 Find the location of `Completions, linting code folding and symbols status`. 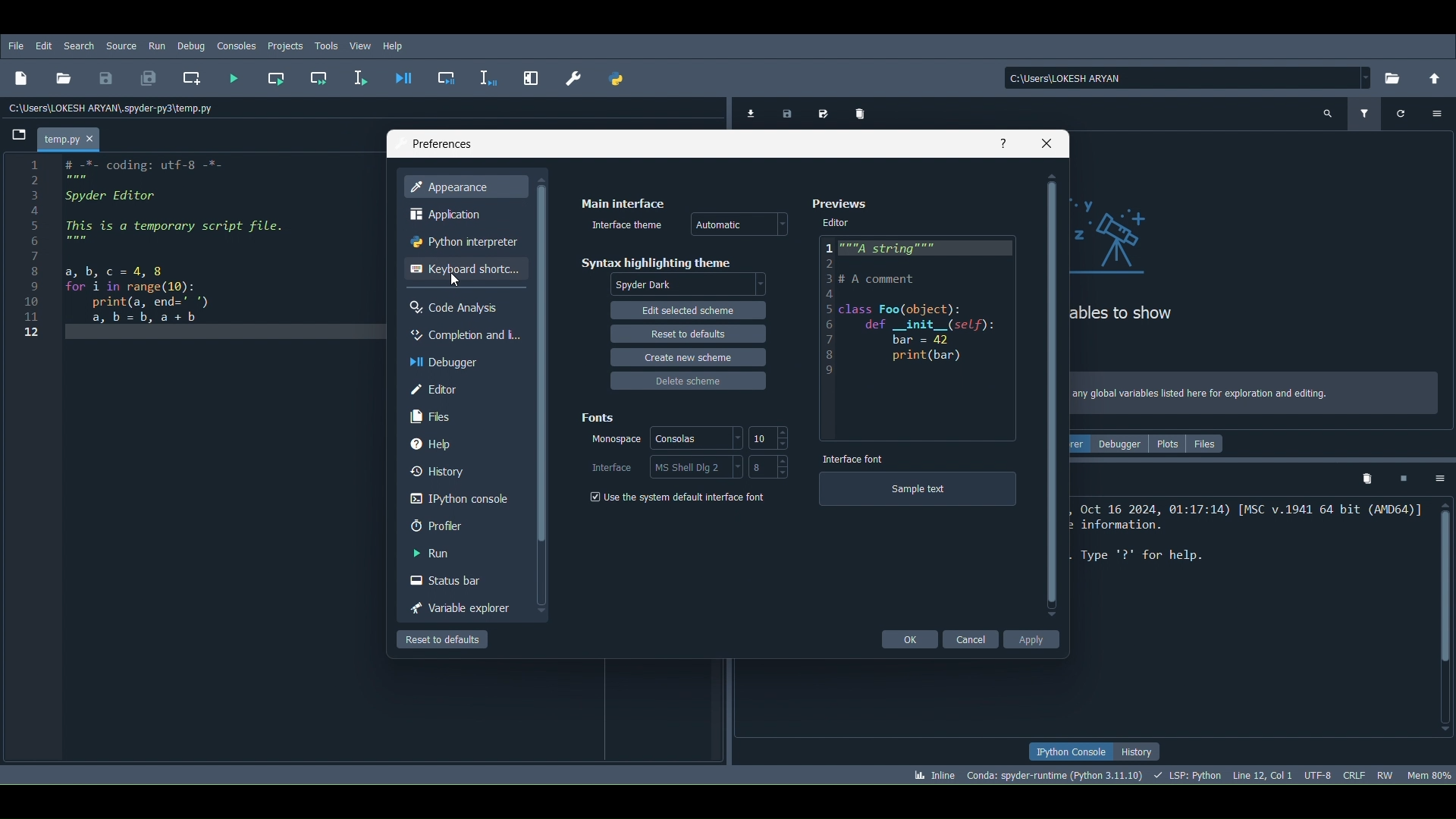

Completions, linting code folding and symbols status is located at coordinates (1188, 774).